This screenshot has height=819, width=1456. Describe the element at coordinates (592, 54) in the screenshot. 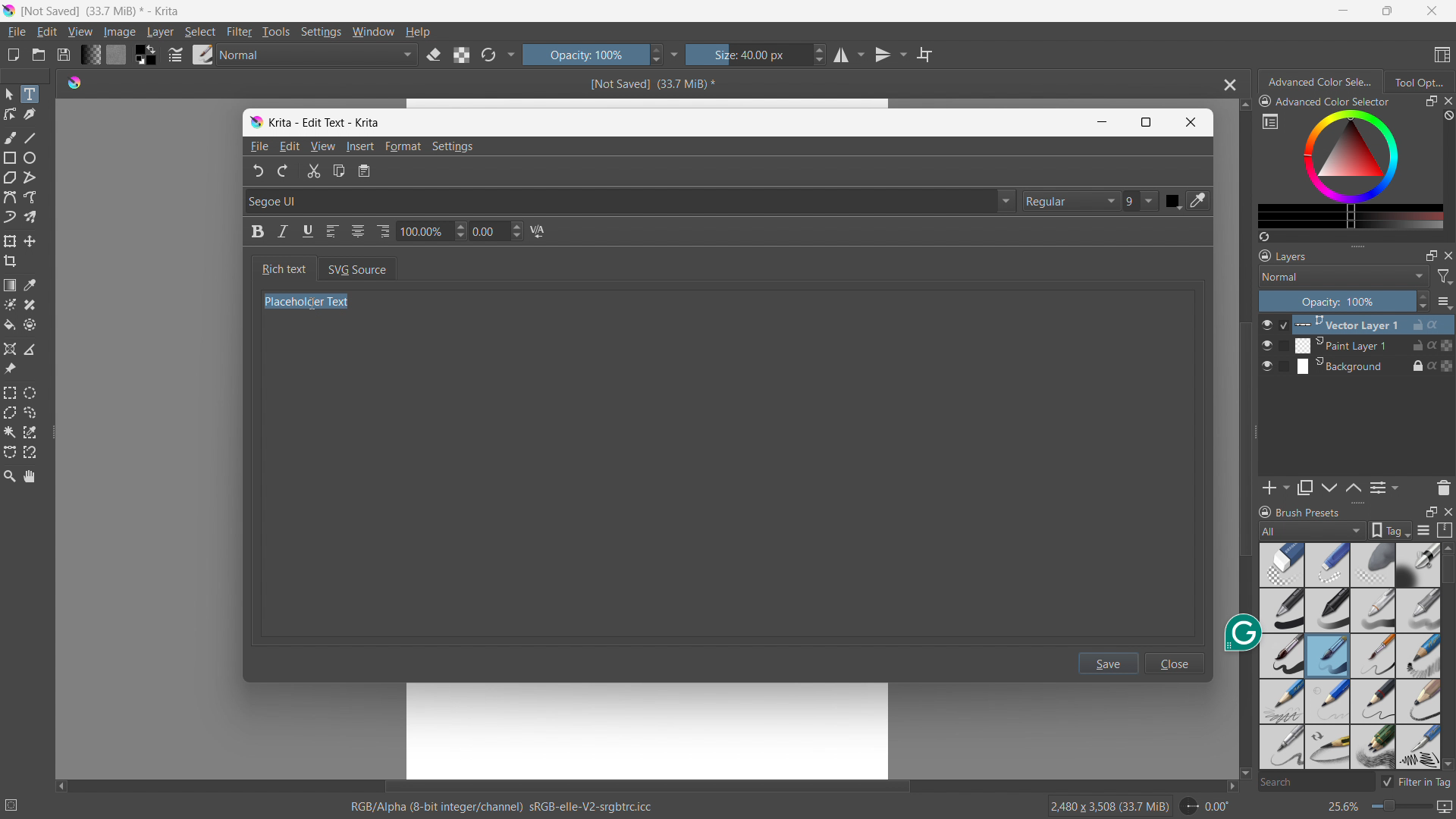

I see `opacity control` at that location.